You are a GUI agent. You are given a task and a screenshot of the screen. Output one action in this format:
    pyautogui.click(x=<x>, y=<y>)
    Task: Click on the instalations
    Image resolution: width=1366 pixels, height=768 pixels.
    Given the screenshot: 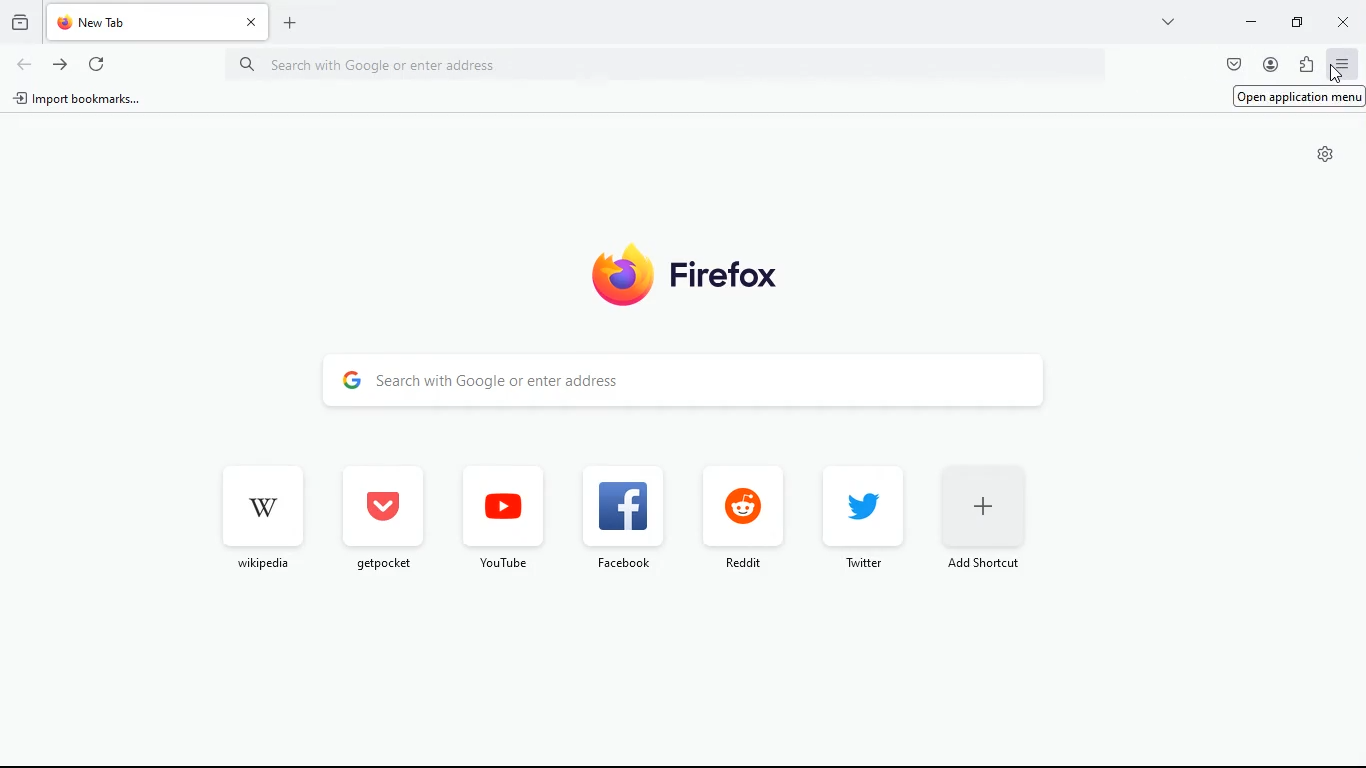 What is the action you would take?
    pyautogui.click(x=1306, y=66)
    